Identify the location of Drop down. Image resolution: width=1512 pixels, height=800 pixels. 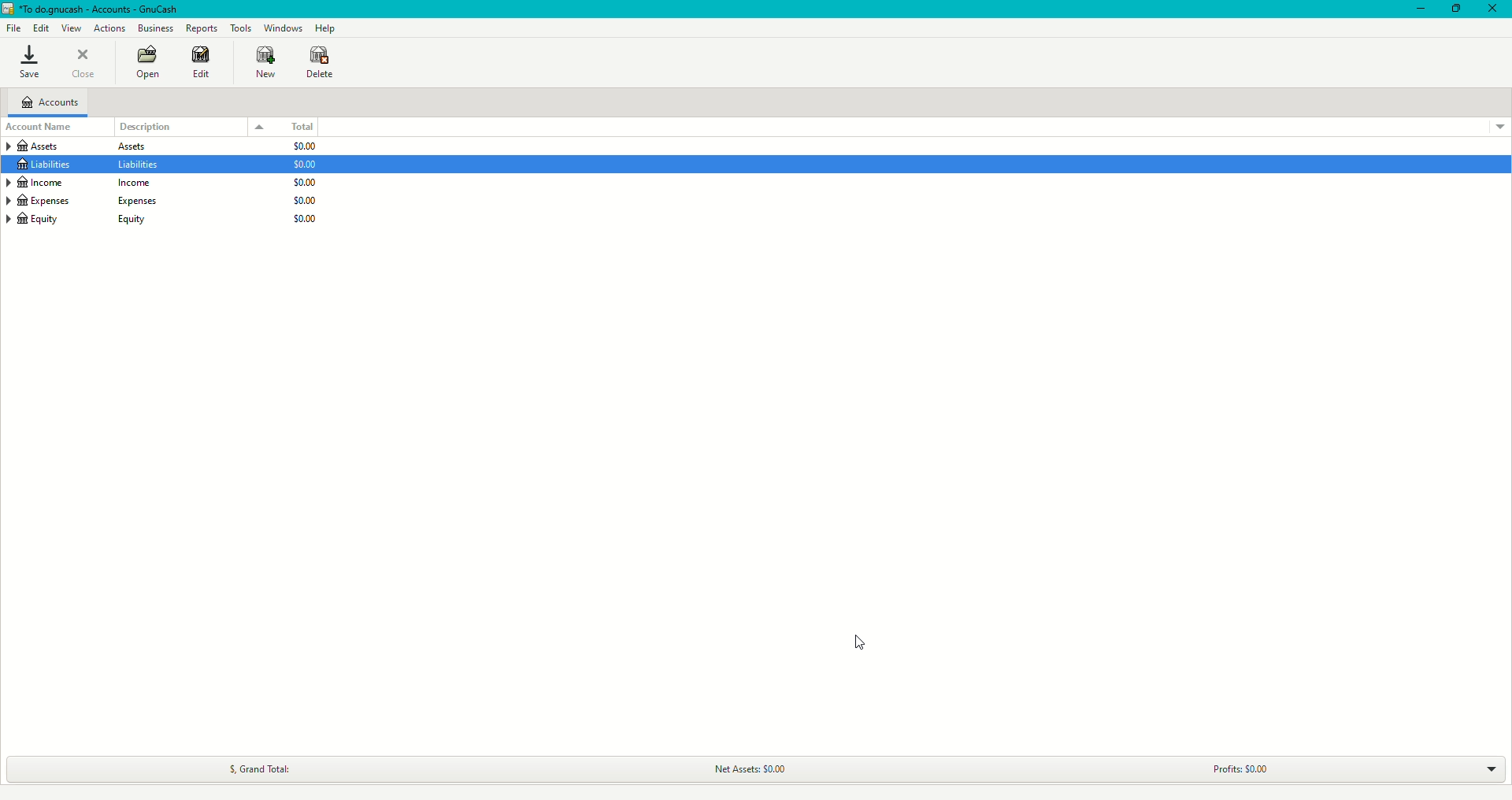
(1492, 768).